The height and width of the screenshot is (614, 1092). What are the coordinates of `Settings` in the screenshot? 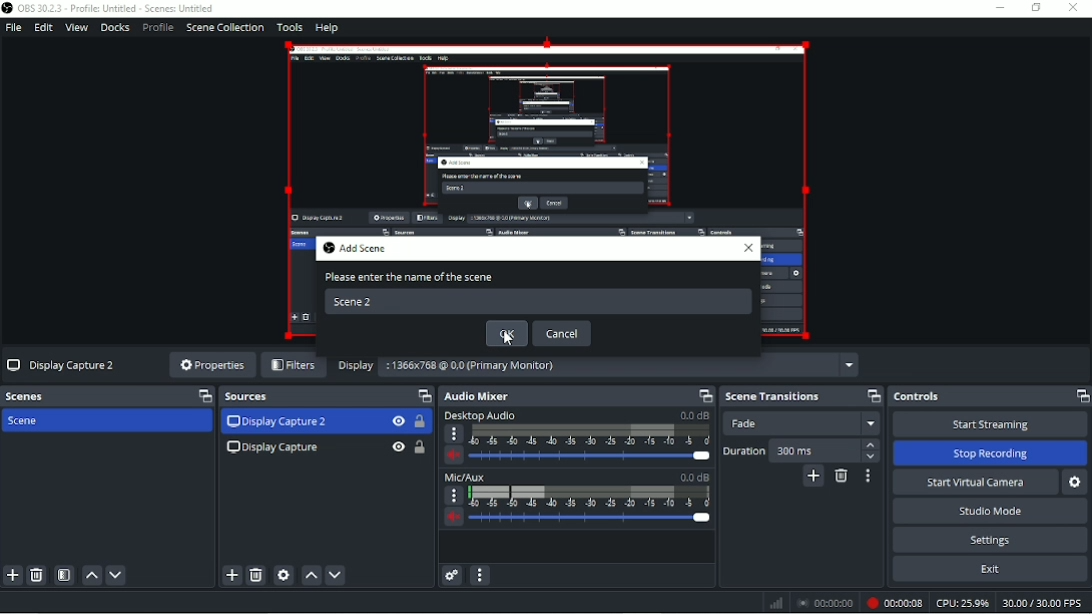 It's located at (994, 541).